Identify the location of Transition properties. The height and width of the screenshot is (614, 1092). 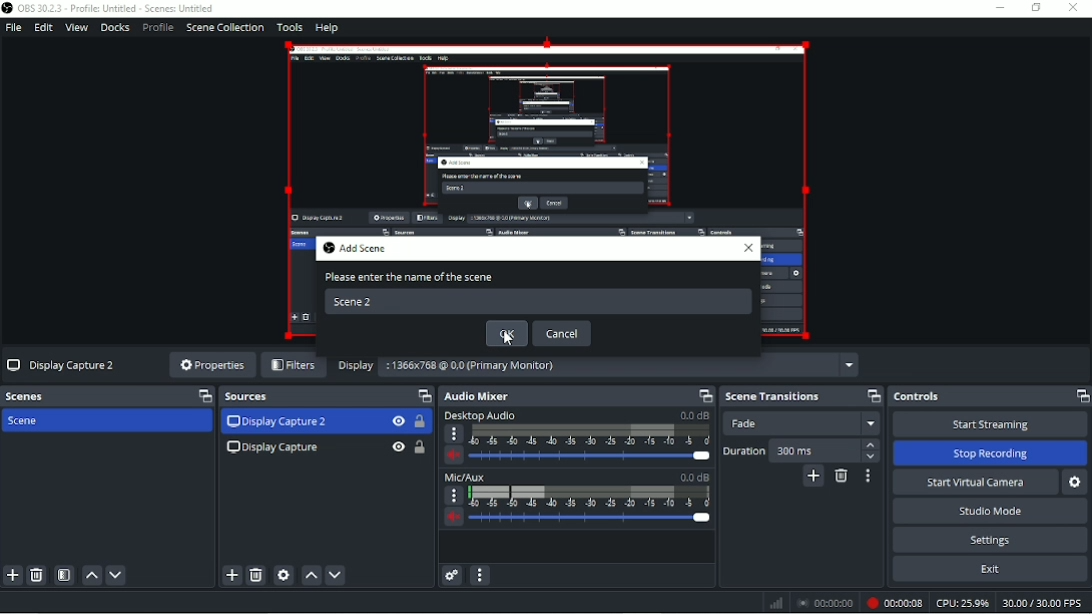
(868, 476).